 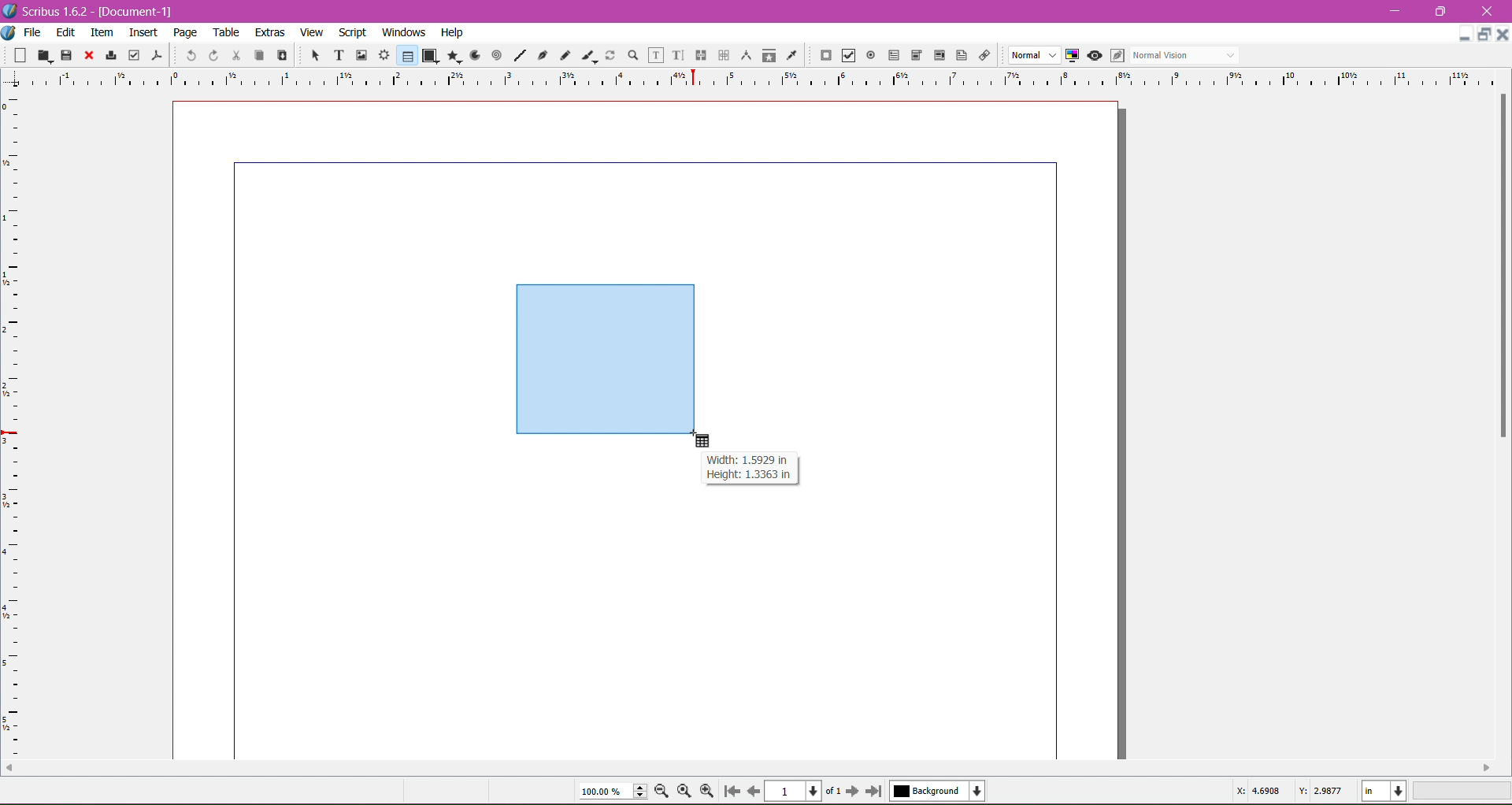 I want to click on Arc, so click(x=473, y=54).